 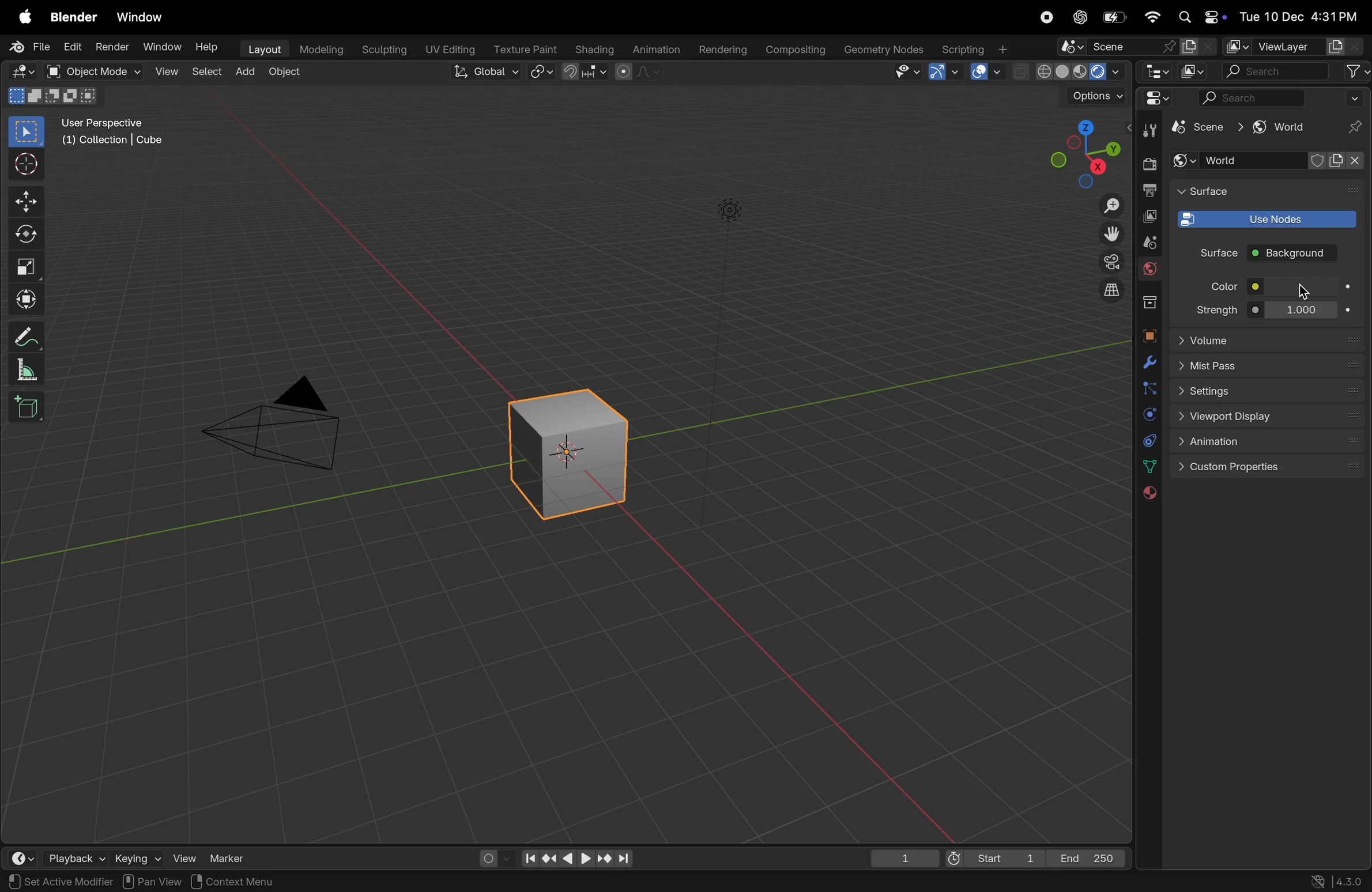 I want to click on auto keying, so click(x=492, y=857).